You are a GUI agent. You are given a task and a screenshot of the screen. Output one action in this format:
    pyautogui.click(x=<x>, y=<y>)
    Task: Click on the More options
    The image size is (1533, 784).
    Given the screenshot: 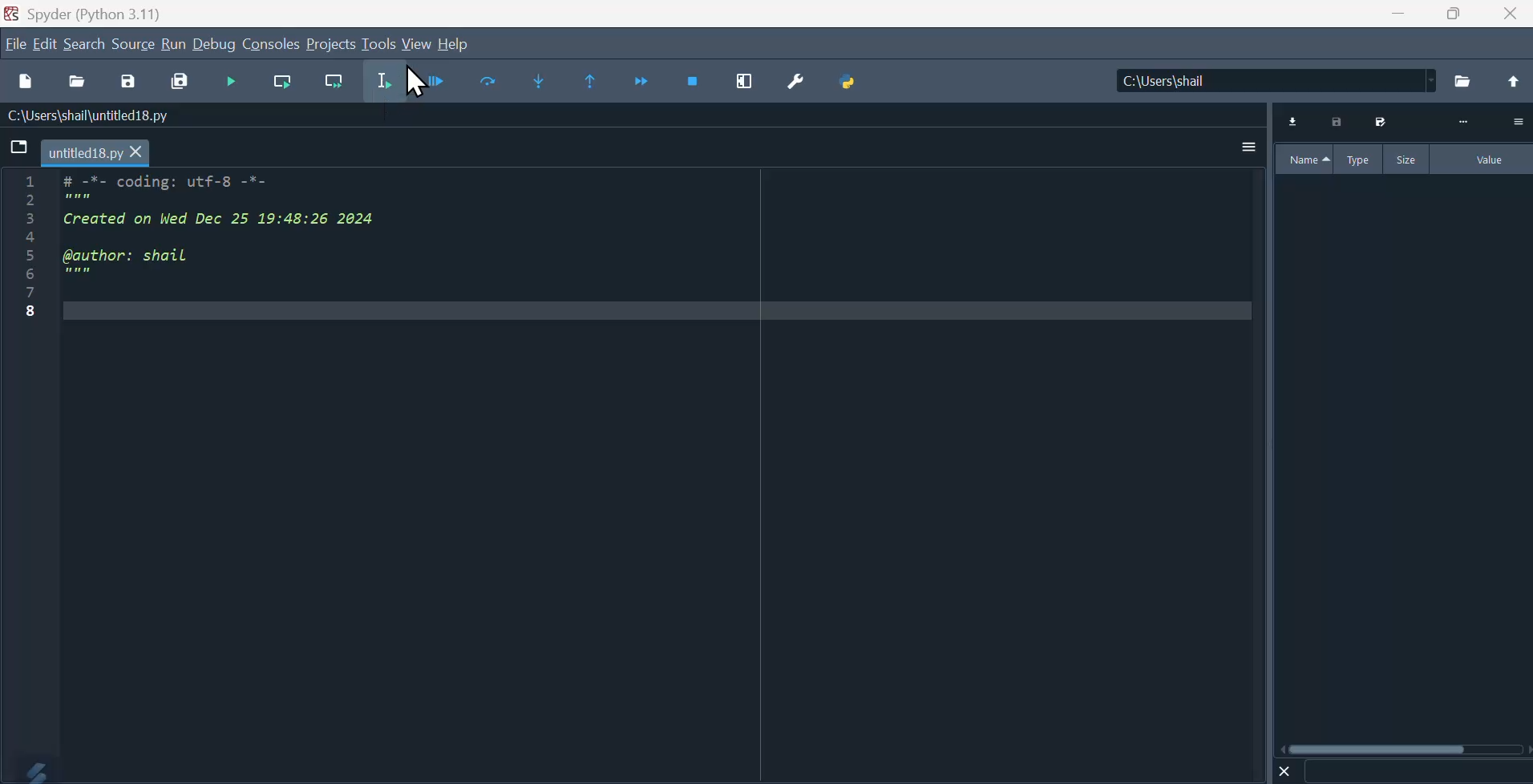 What is the action you would take?
    pyautogui.click(x=1249, y=146)
    